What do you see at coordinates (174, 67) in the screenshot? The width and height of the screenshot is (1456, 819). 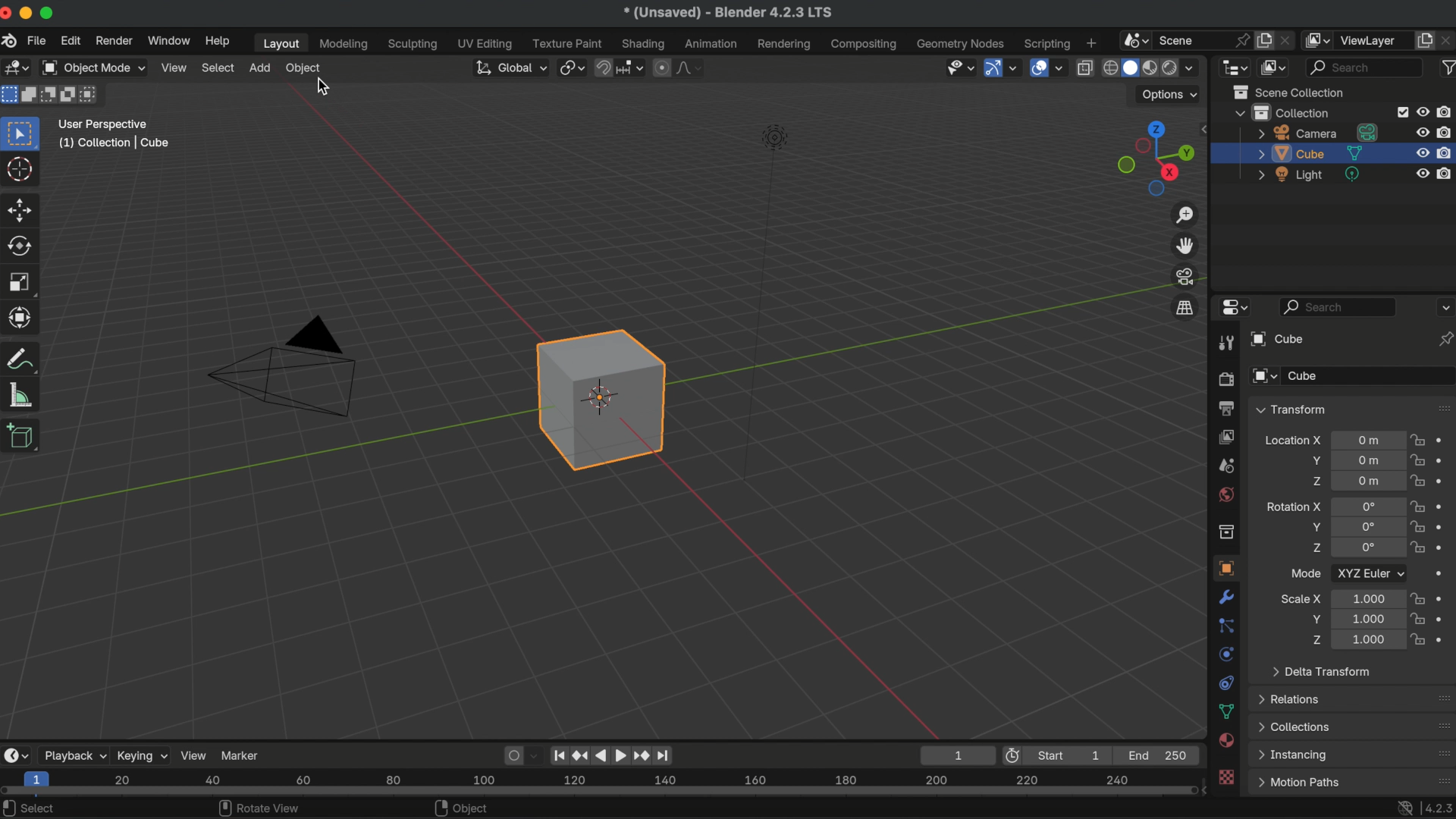 I see `view` at bounding box center [174, 67].